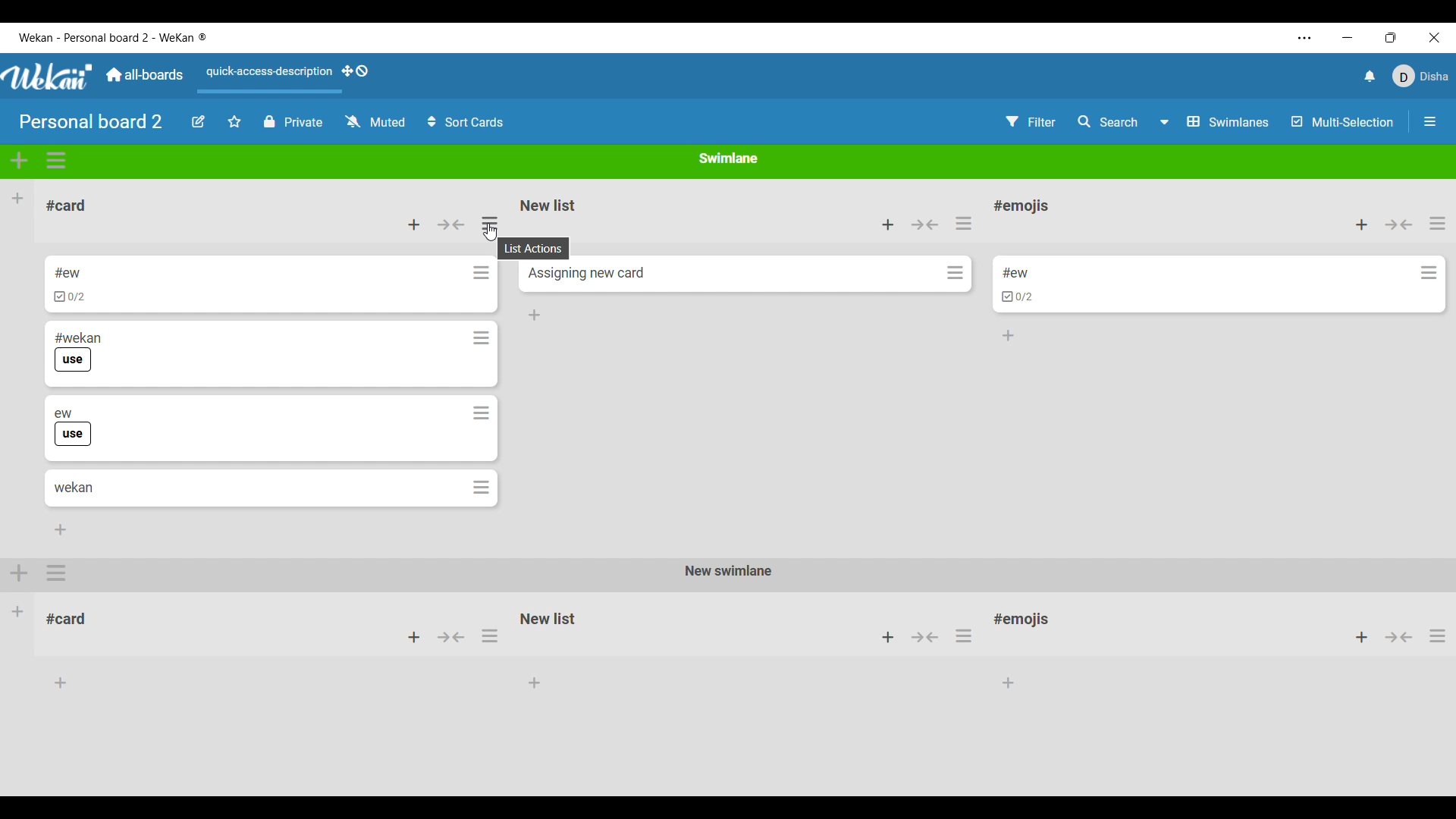 The image size is (1456, 819). Describe the element at coordinates (1021, 206) in the screenshot. I see `List title` at that location.